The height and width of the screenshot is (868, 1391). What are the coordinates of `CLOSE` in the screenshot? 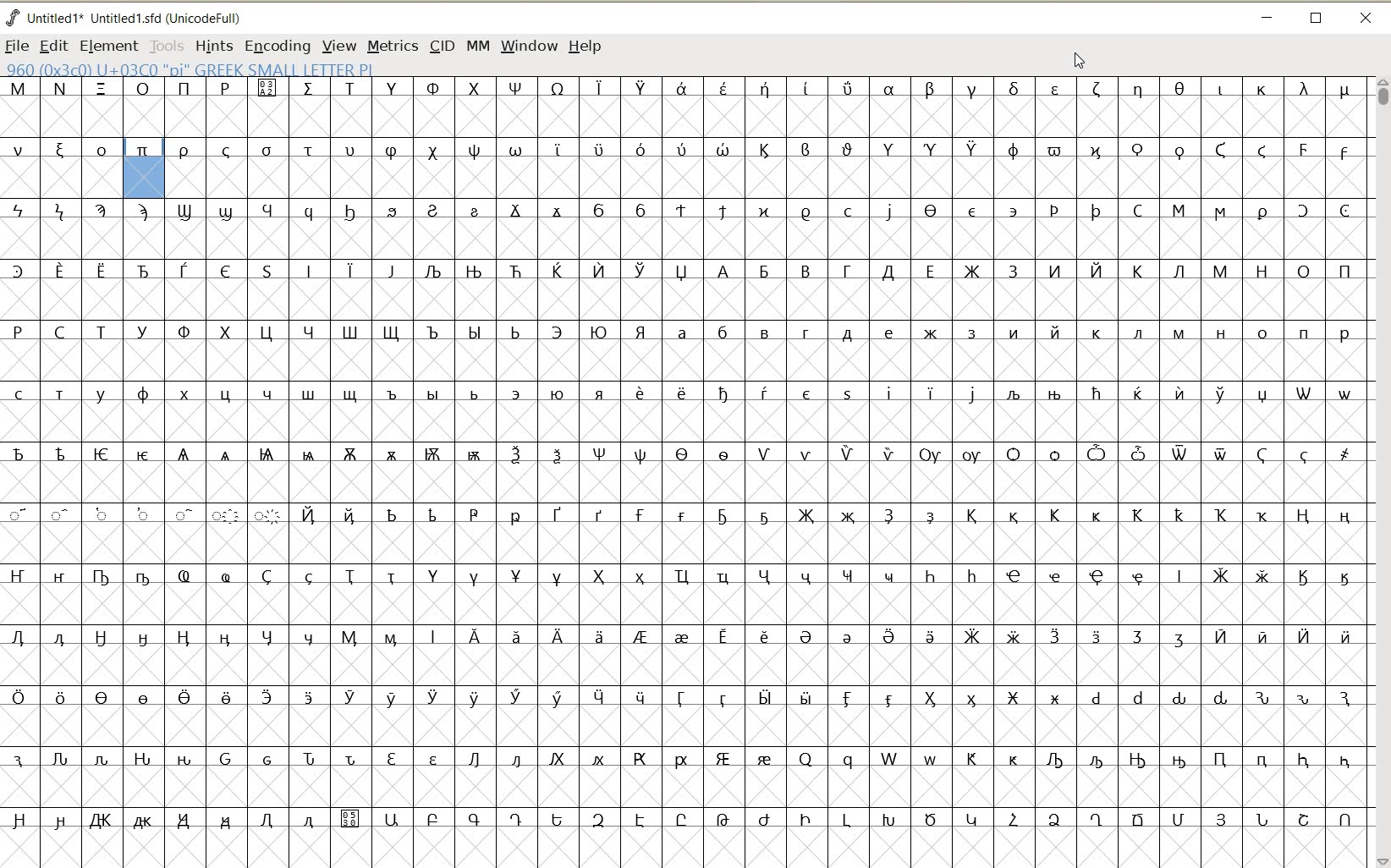 It's located at (1369, 19).